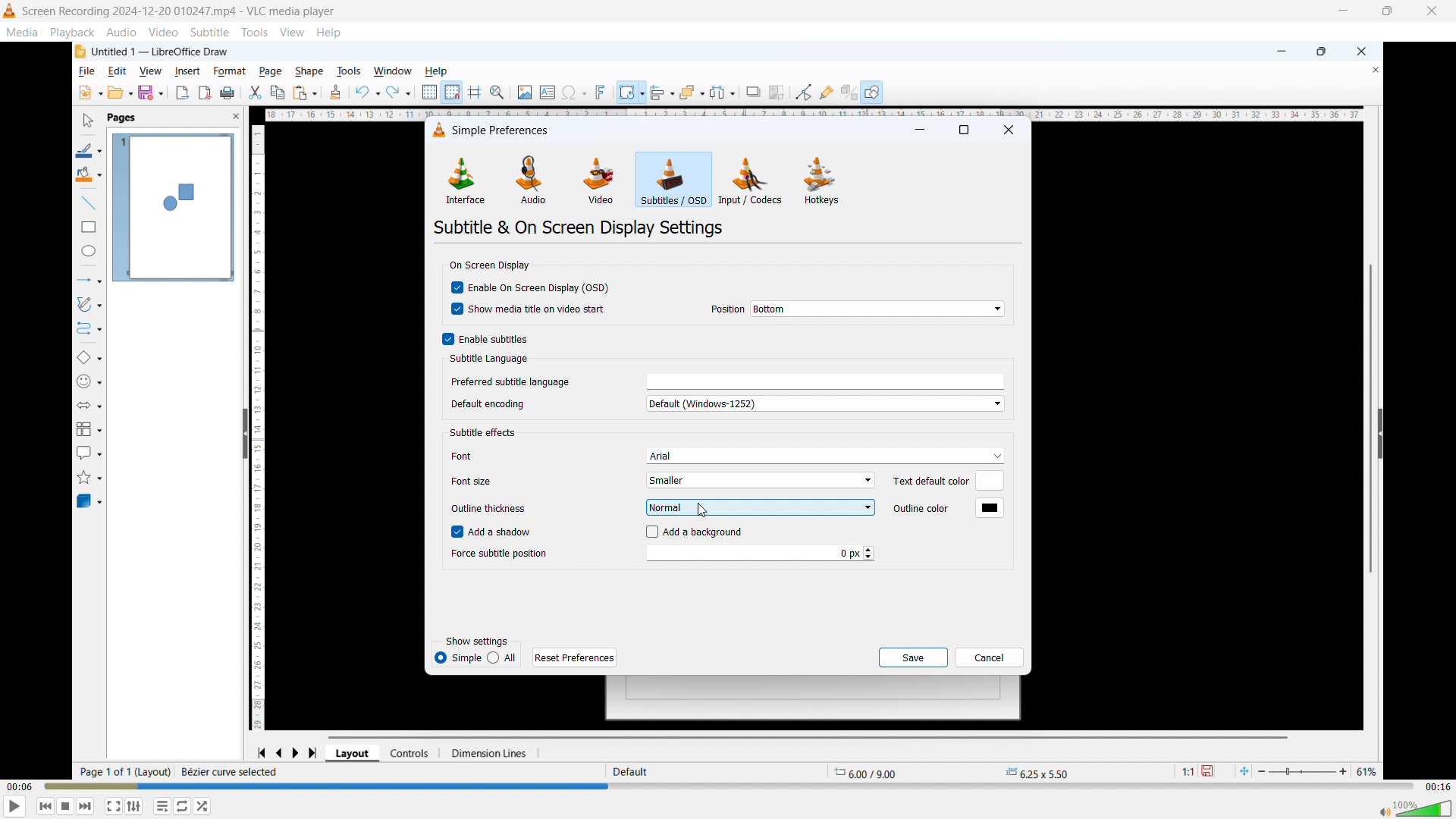  I want to click on Select preferred subtitle language , so click(825, 381).